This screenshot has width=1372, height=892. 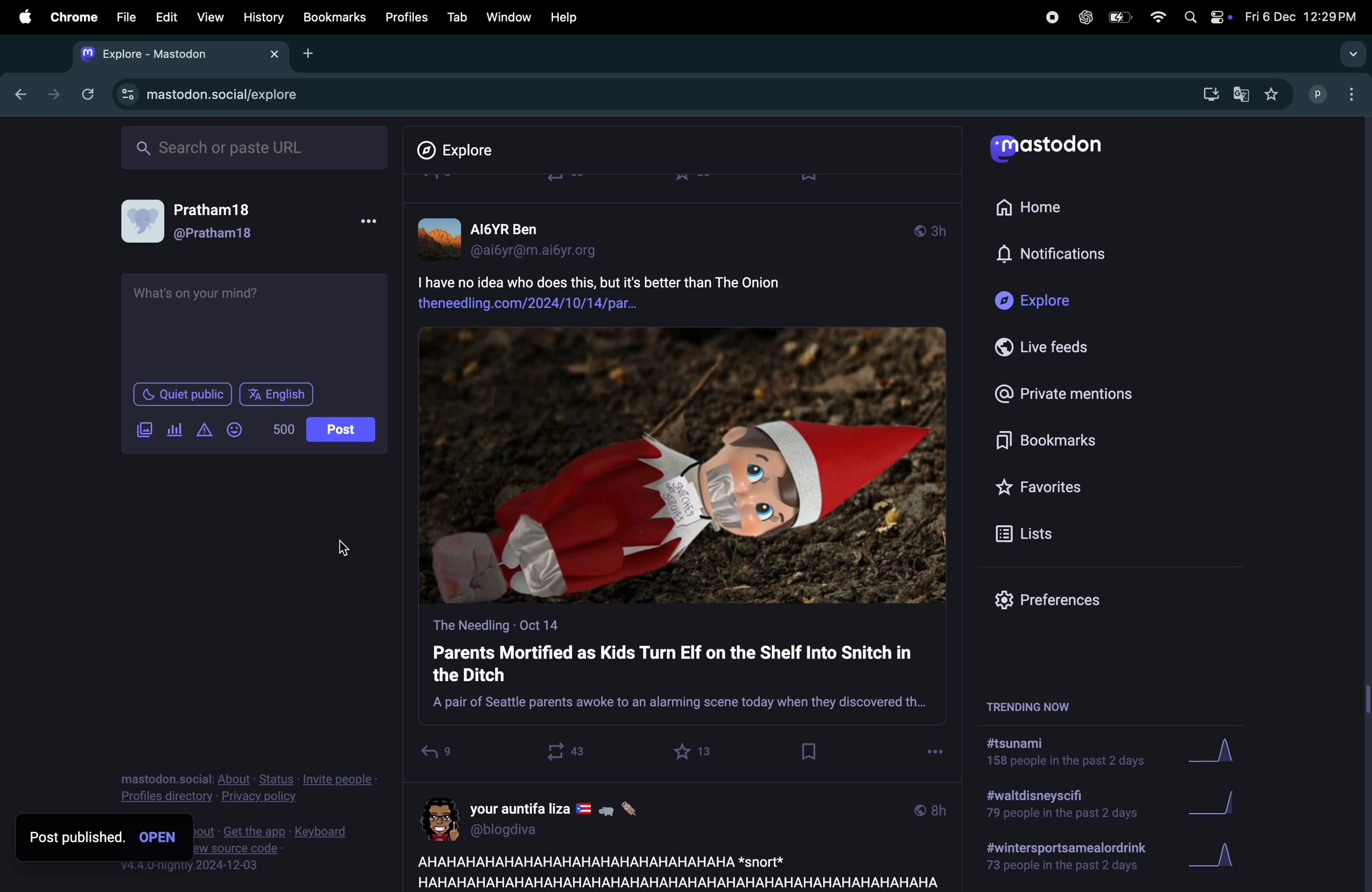 What do you see at coordinates (402, 17) in the screenshot?
I see `profiles` at bounding box center [402, 17].